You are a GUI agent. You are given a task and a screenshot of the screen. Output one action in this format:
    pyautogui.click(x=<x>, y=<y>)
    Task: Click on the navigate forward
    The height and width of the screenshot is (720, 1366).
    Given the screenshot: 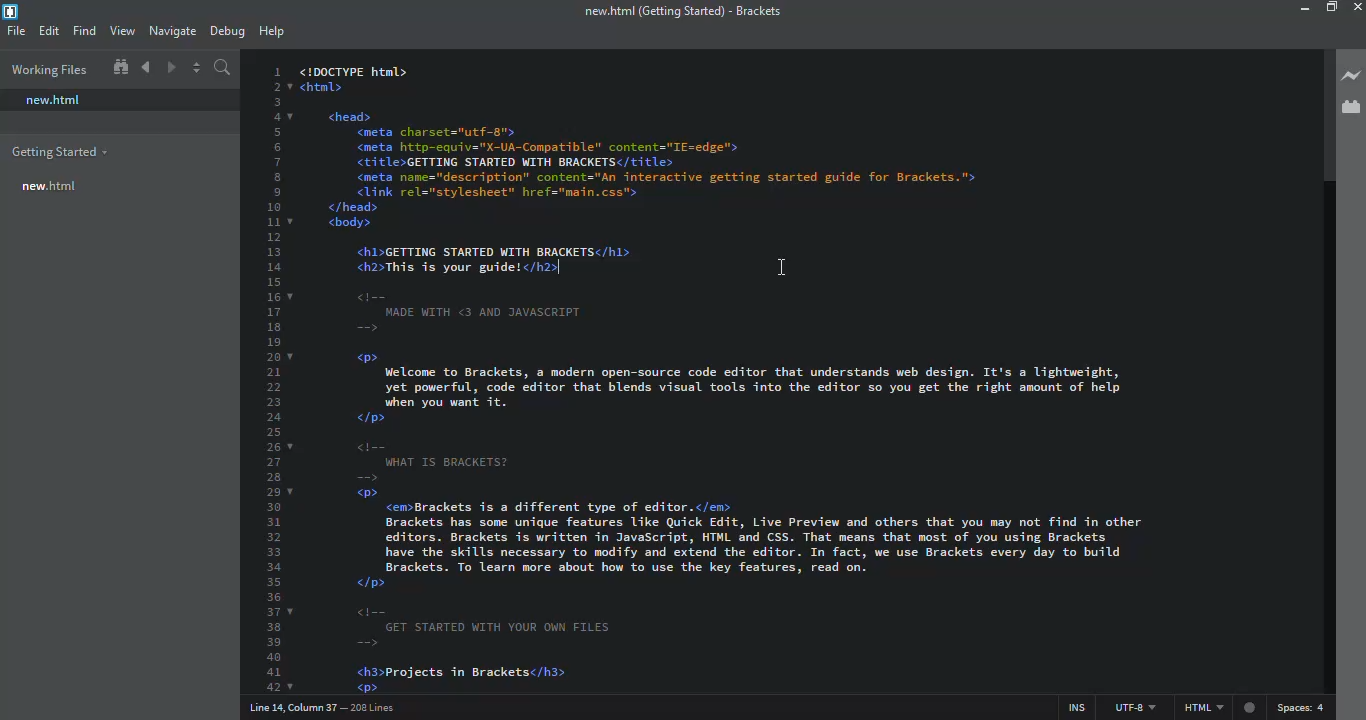 What is the action you would take?
    pyautogui.click(x=170, y=68)
    